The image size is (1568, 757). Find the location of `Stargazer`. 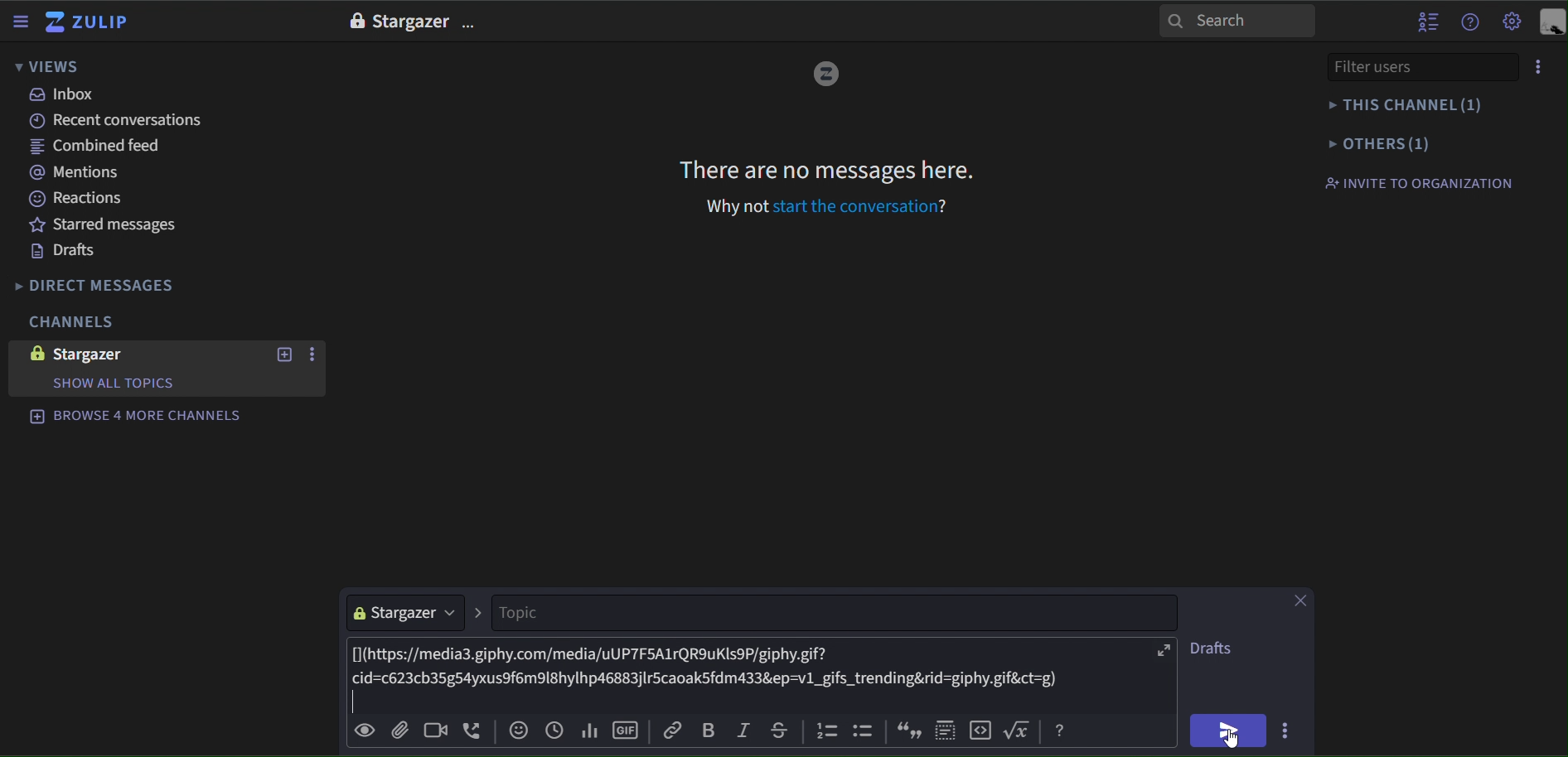

Stargazer is located at coordinates (410, 22).